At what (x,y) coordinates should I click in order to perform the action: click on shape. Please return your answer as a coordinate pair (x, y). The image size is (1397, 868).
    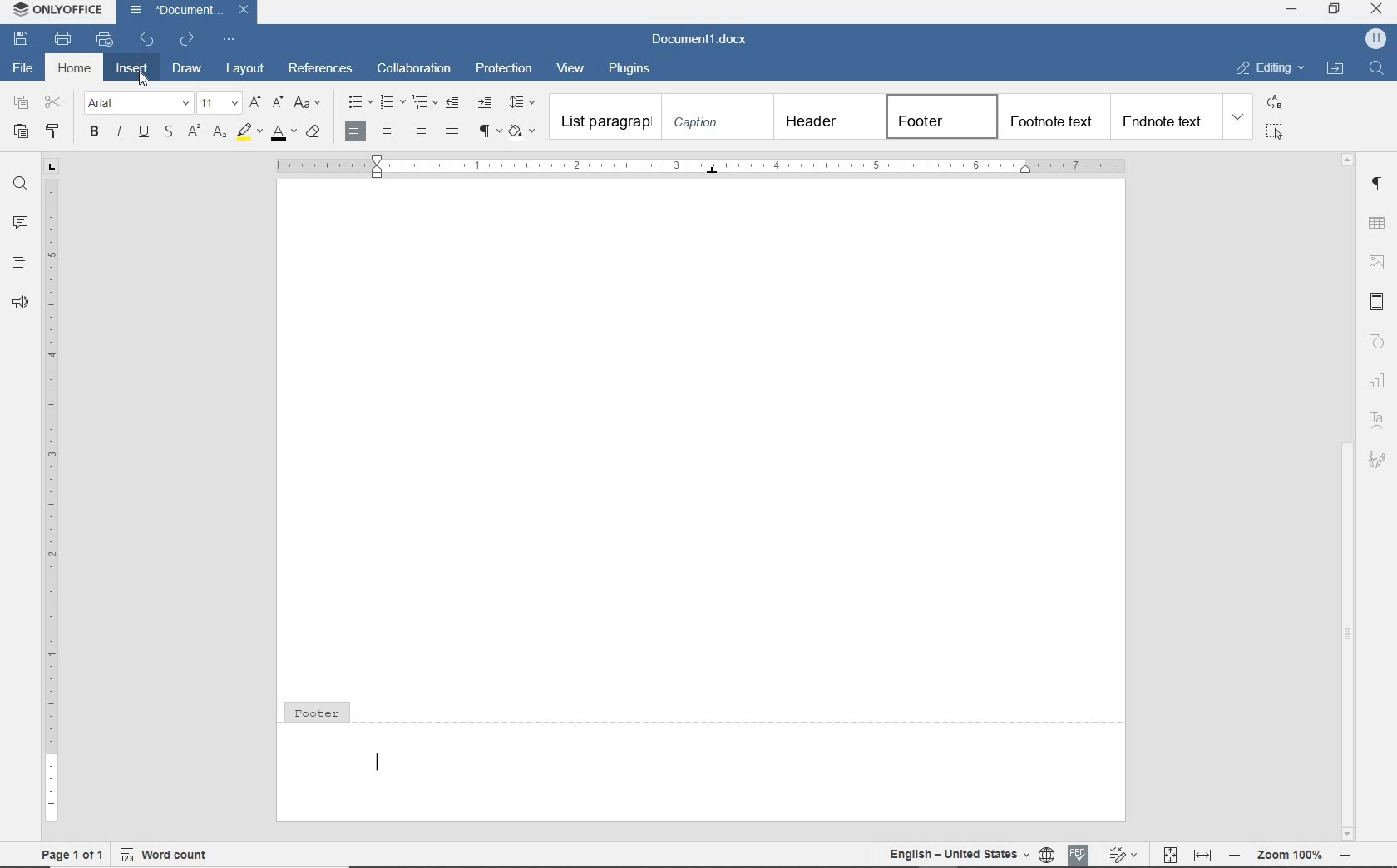
    Looking at the image, I should click on (1379, 340).